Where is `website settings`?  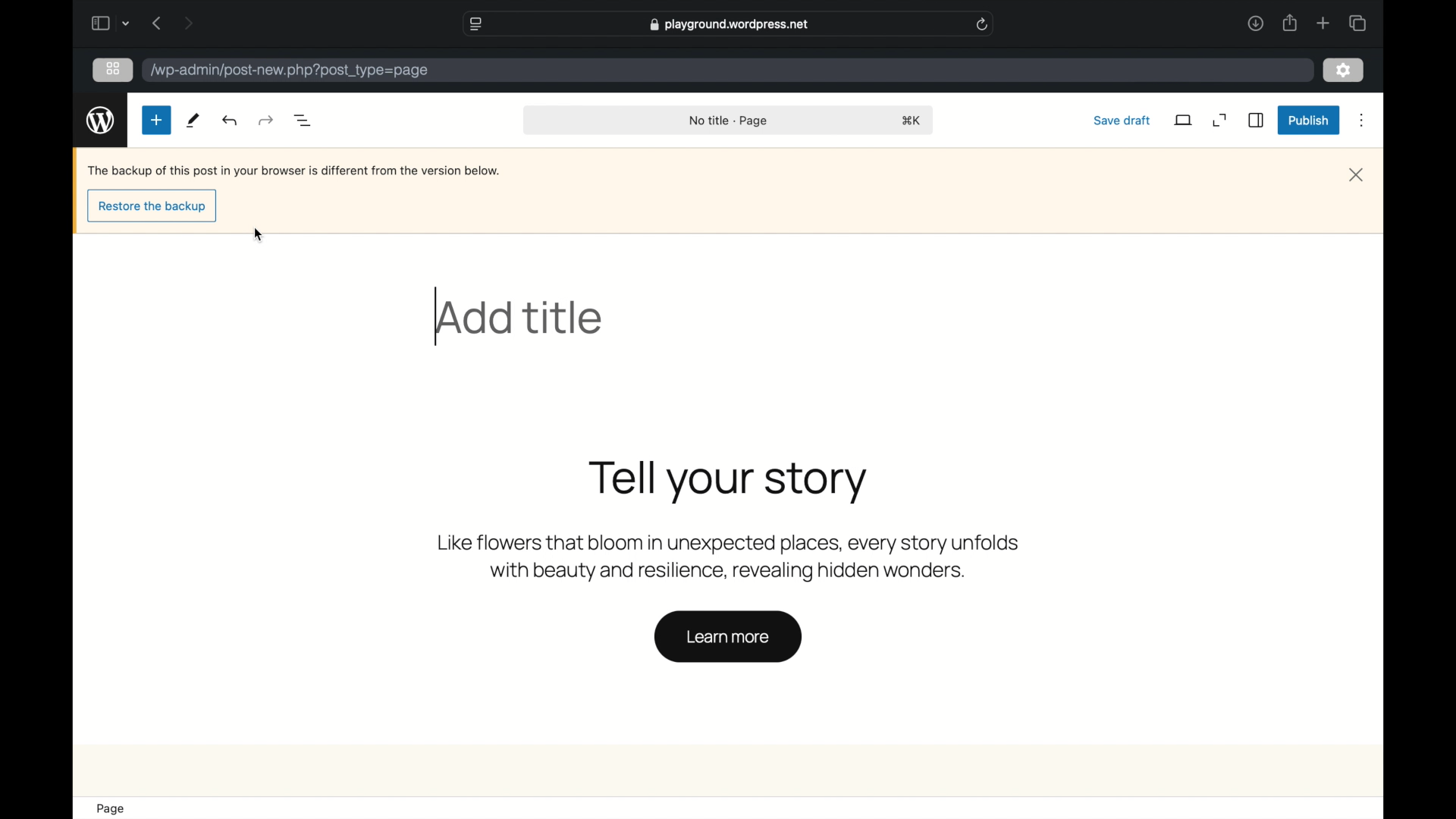 website settings is located at coordinates (475, 25).